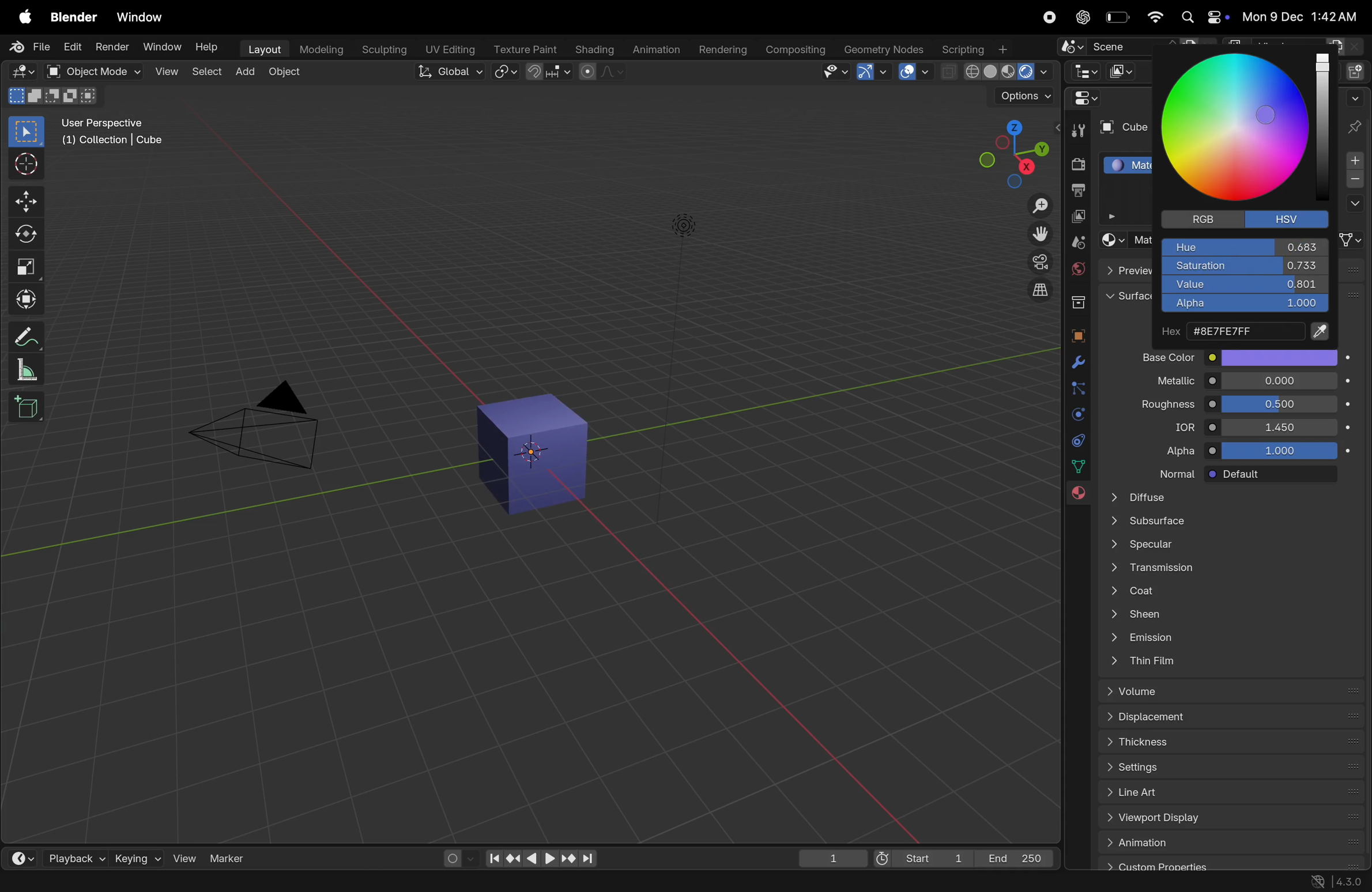 The image size is (1372, 892). Describe the element at coordinates (1230, 842) in the screenshot. I see `animation` at that location.